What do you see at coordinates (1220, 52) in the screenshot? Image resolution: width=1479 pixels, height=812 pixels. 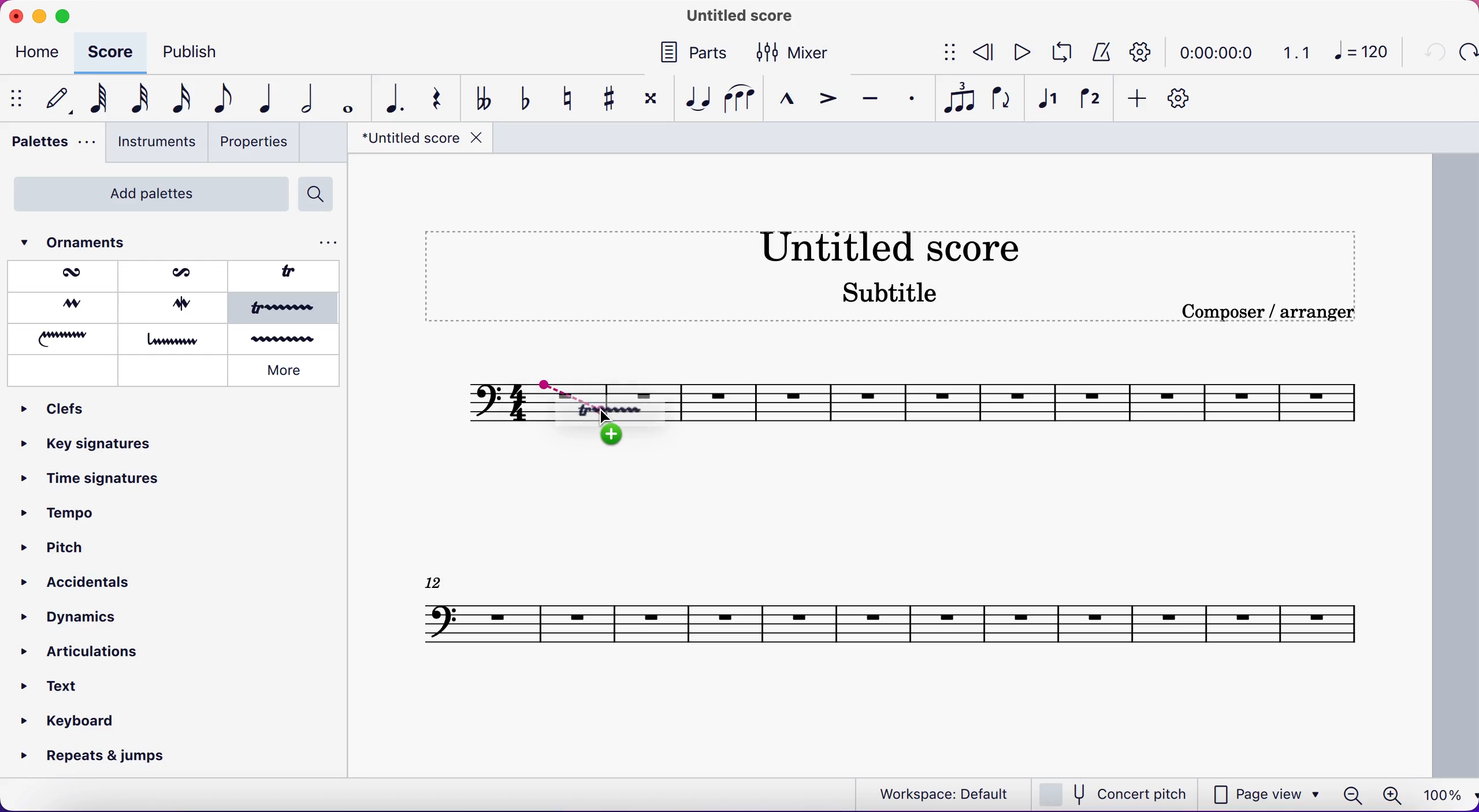 I see `time` at bounding box center [1220, 52].